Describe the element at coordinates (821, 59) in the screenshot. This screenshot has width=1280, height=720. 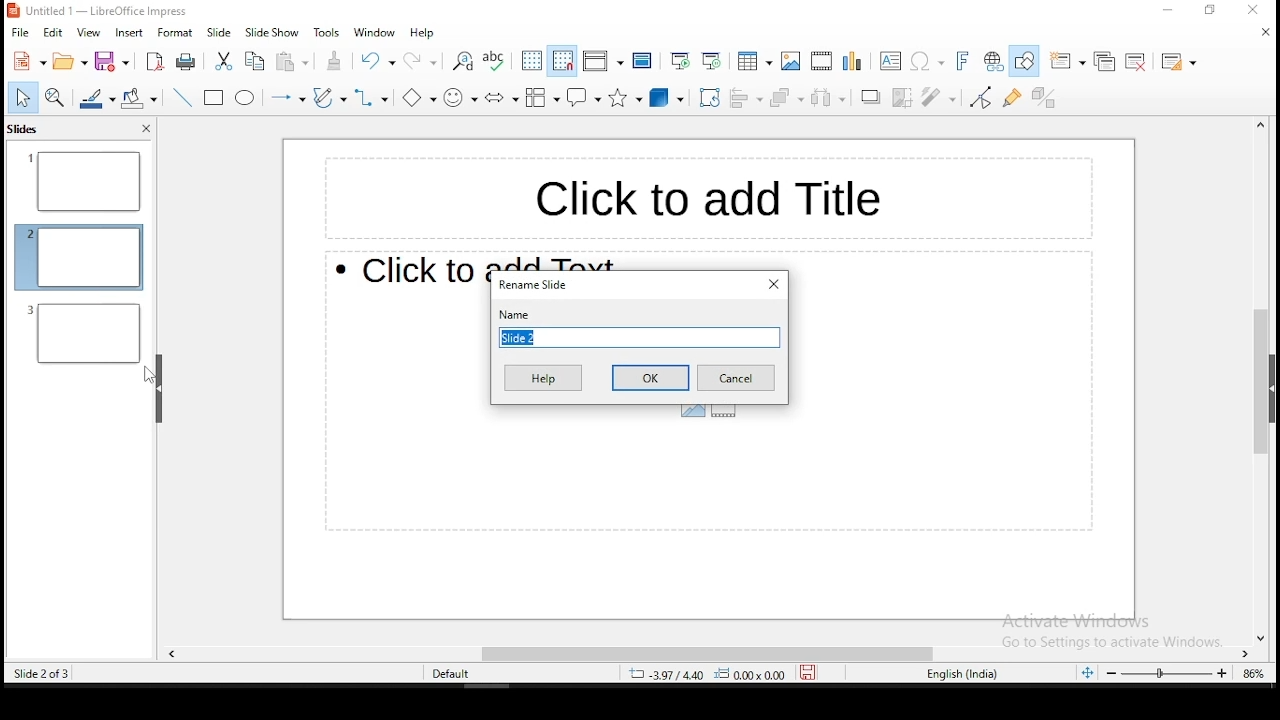
I see `insert video` at that location.